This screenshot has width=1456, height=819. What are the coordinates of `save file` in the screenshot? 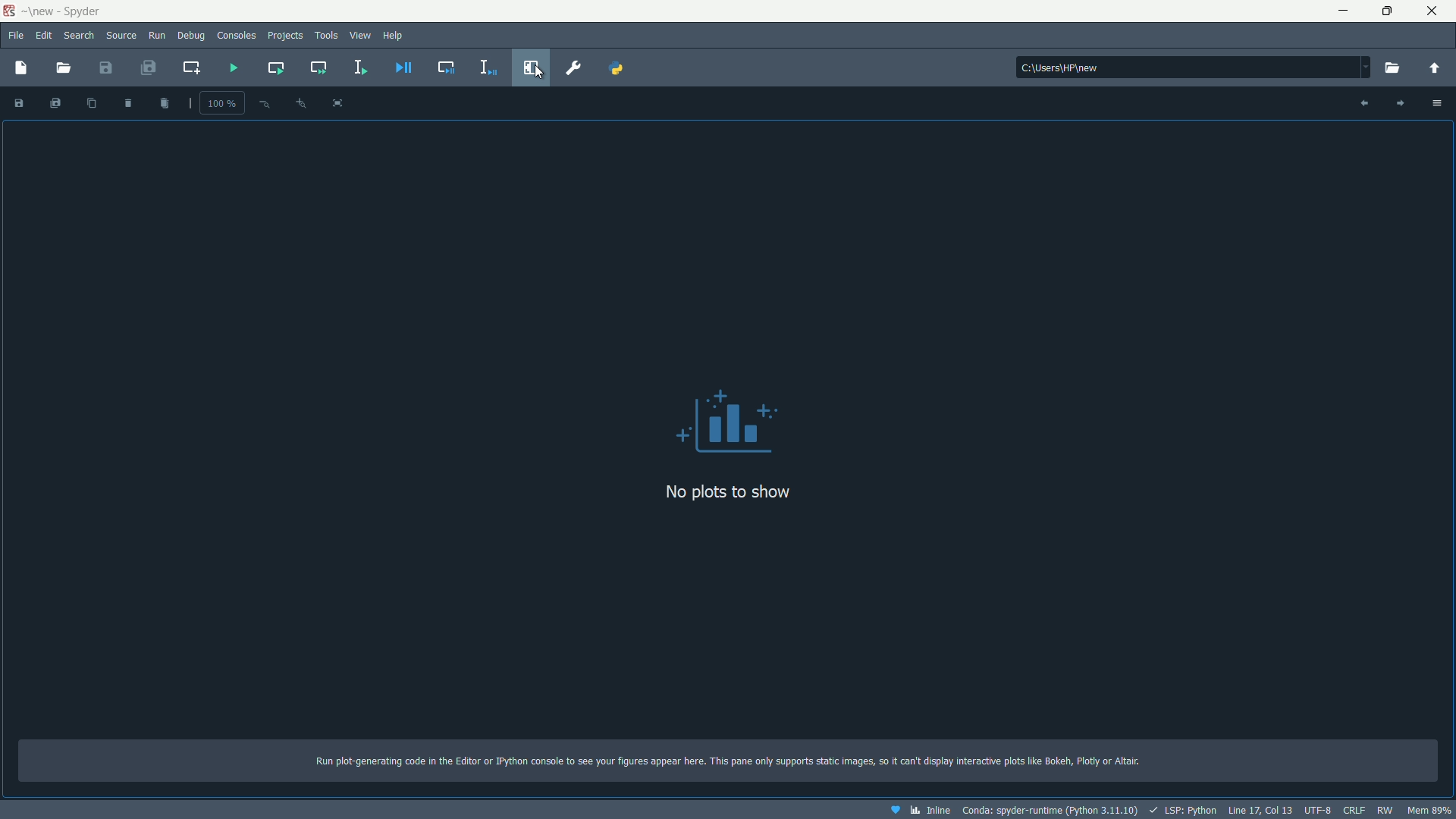 It's located at (104, 67).